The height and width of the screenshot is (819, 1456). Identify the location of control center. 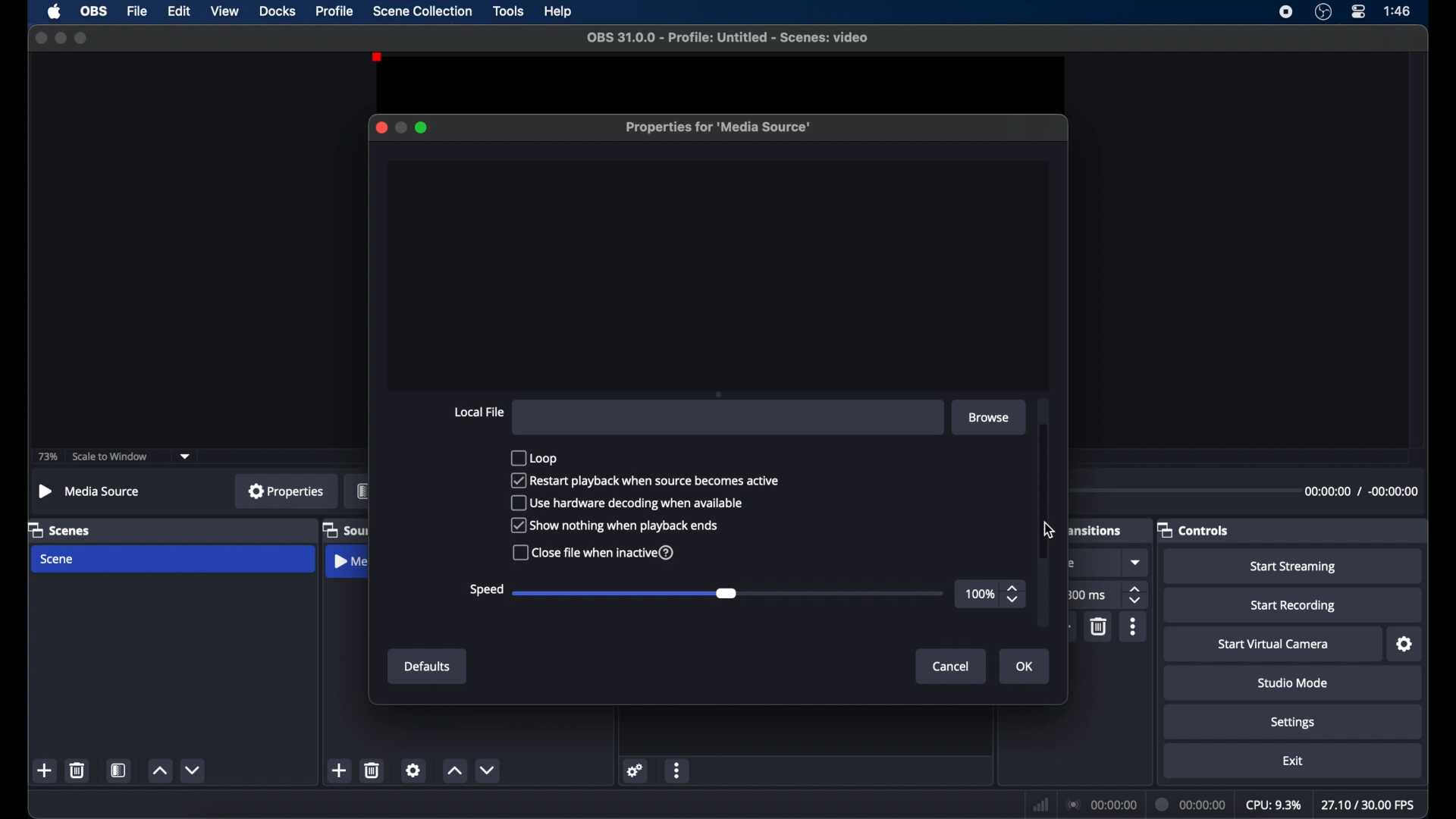
(1359, 11).